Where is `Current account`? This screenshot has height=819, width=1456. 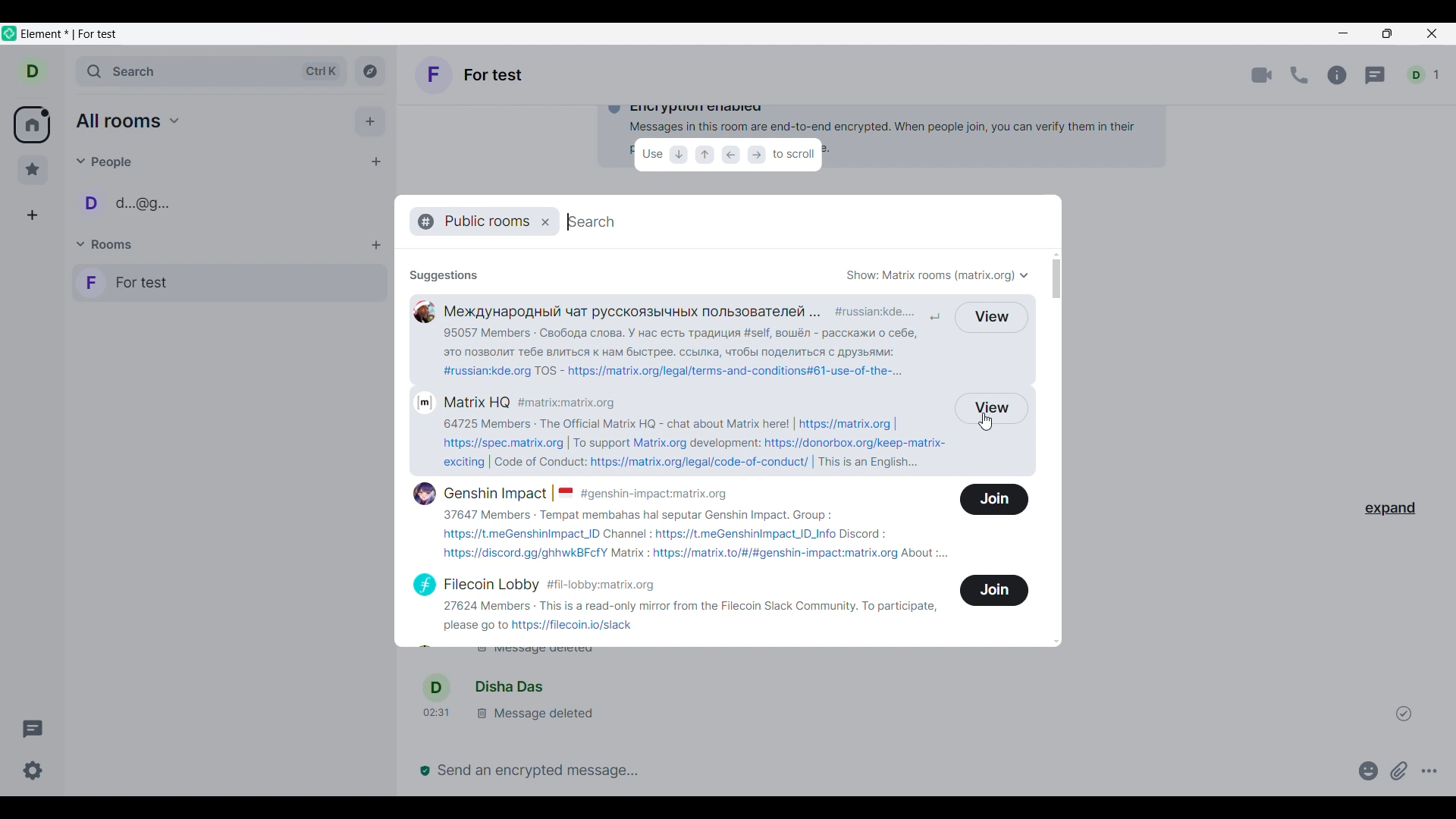
Current account is located at coordinates (33, 71).